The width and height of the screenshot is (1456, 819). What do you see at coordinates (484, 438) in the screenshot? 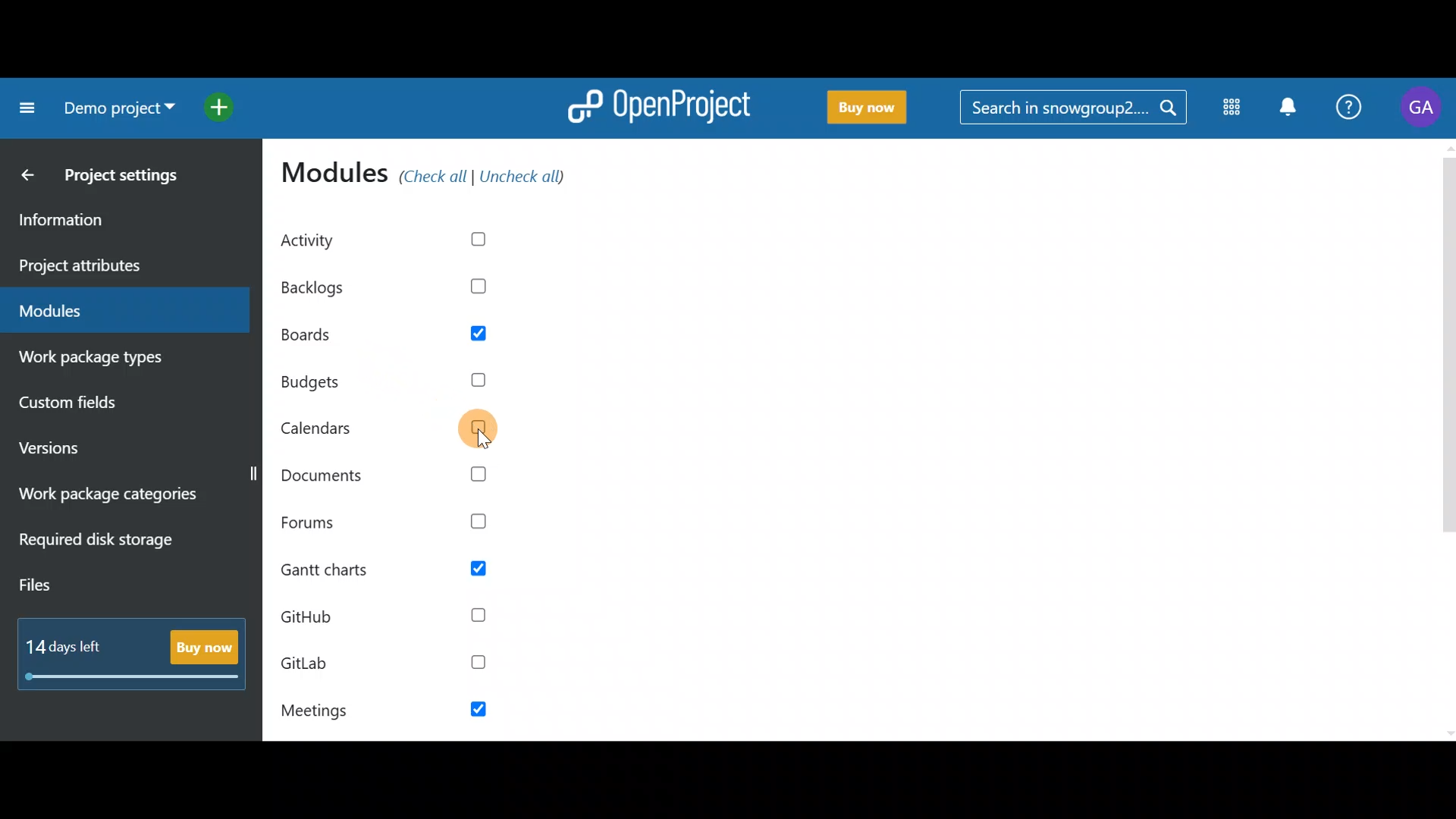
I see `cursor` at bounding box center [484, 438].